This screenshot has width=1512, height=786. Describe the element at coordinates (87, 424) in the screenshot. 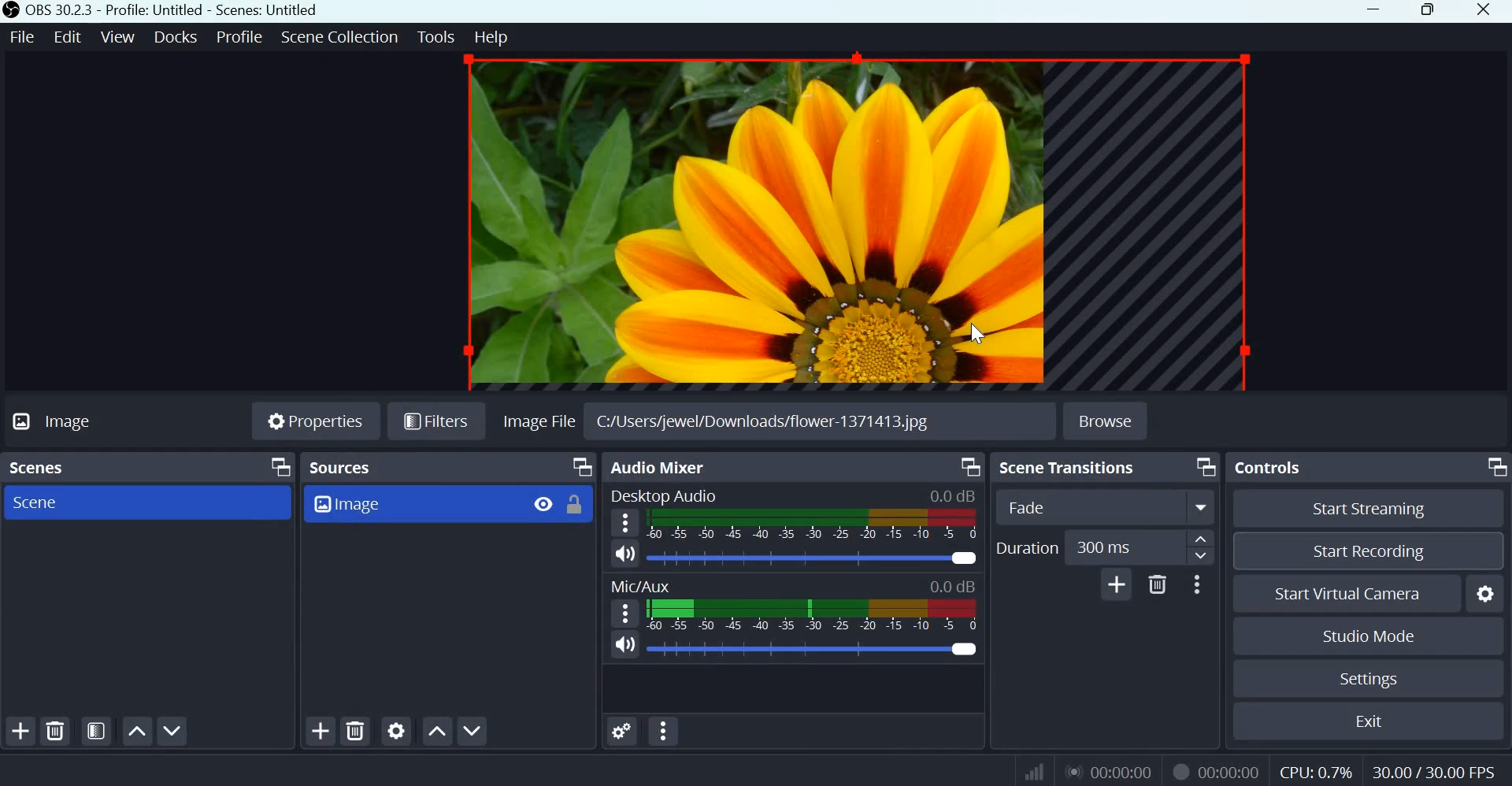

I see `No source selected` at that location.